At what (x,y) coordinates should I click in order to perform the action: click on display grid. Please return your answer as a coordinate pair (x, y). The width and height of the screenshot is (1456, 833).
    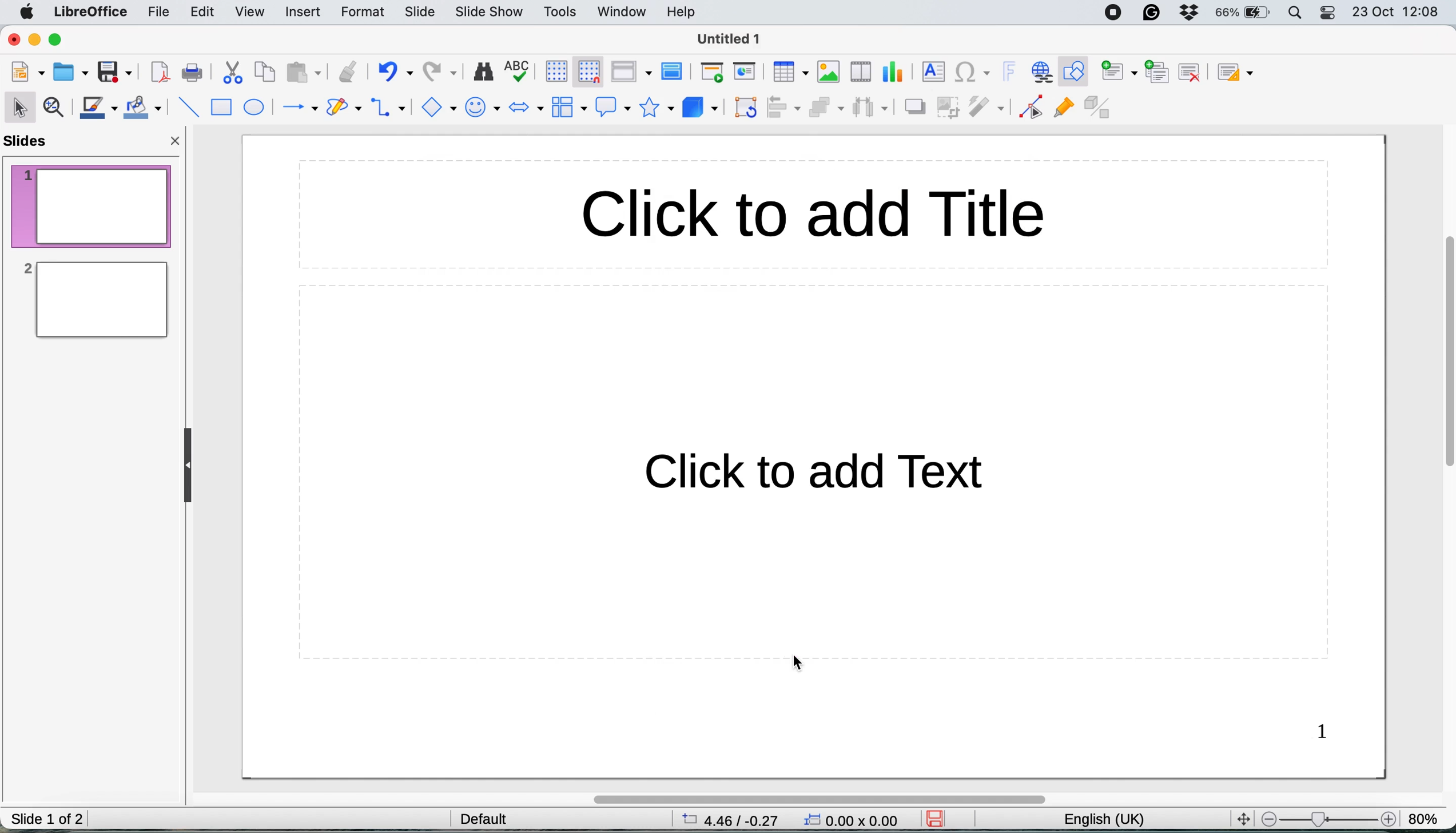
    Looking at the image, I should click on (552, 70).